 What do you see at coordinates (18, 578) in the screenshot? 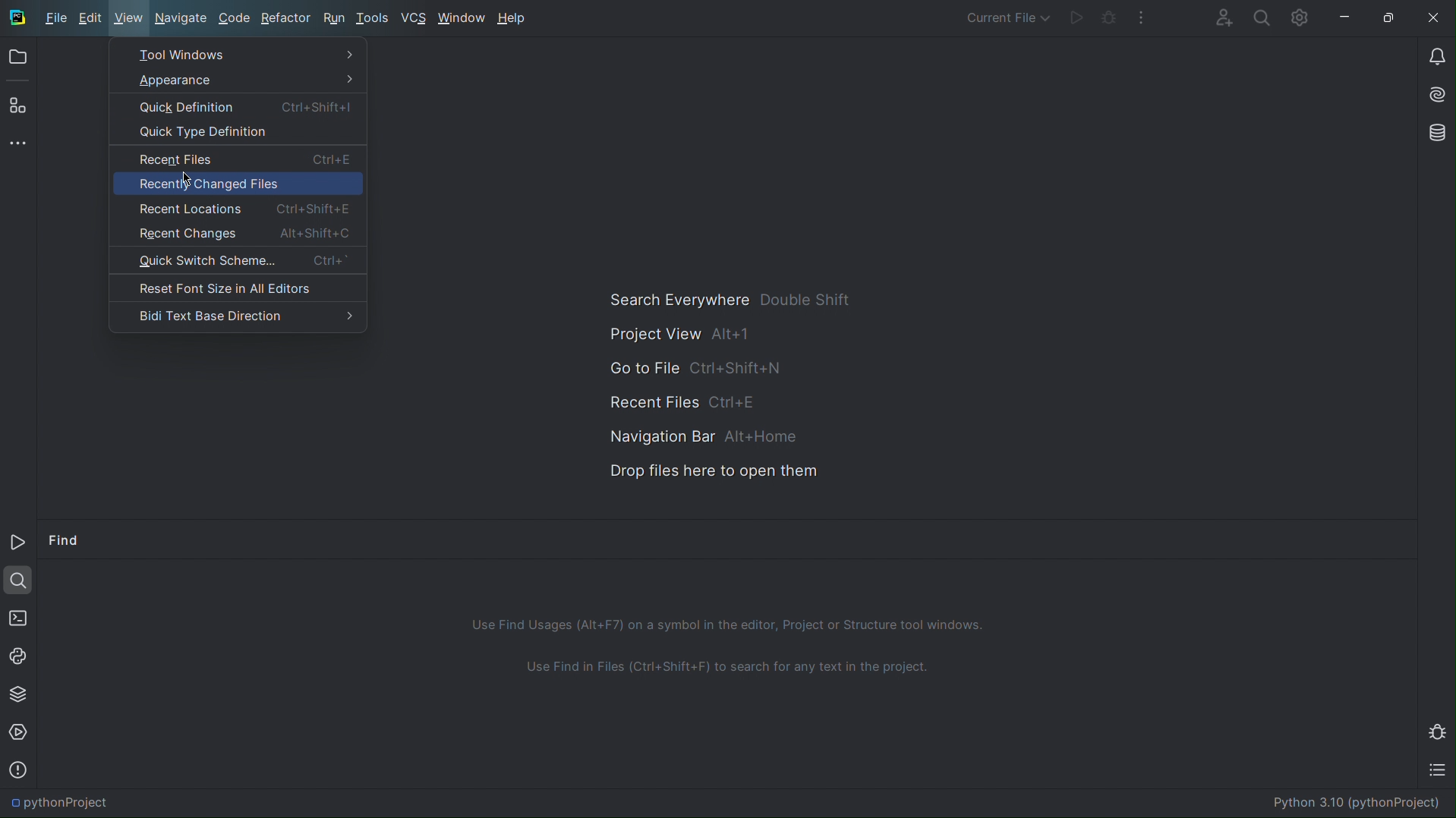
I see `Find` at bounding box center [18, 578].